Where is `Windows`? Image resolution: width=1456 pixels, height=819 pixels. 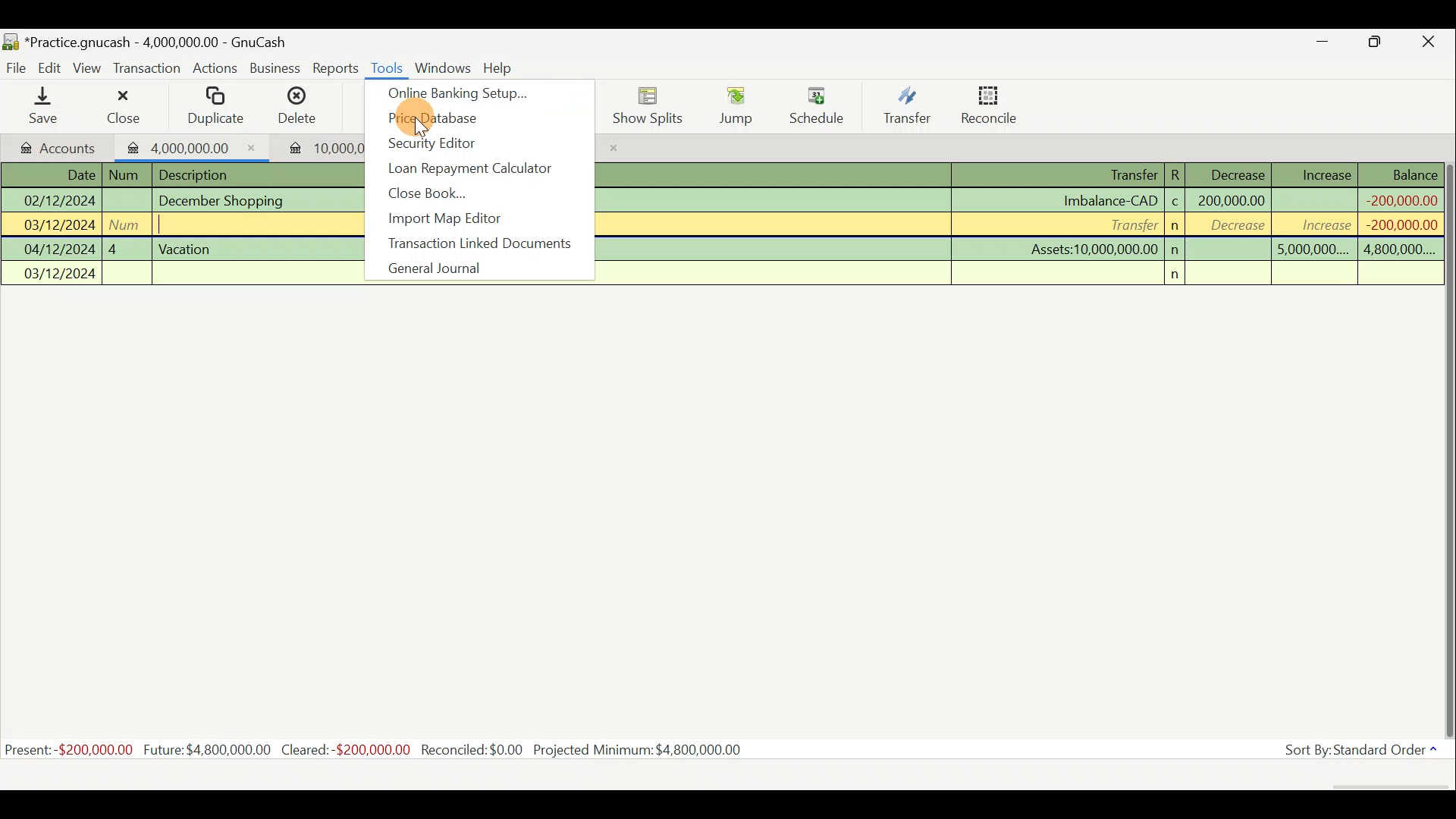
Windows is located at coordinates (443, 68).